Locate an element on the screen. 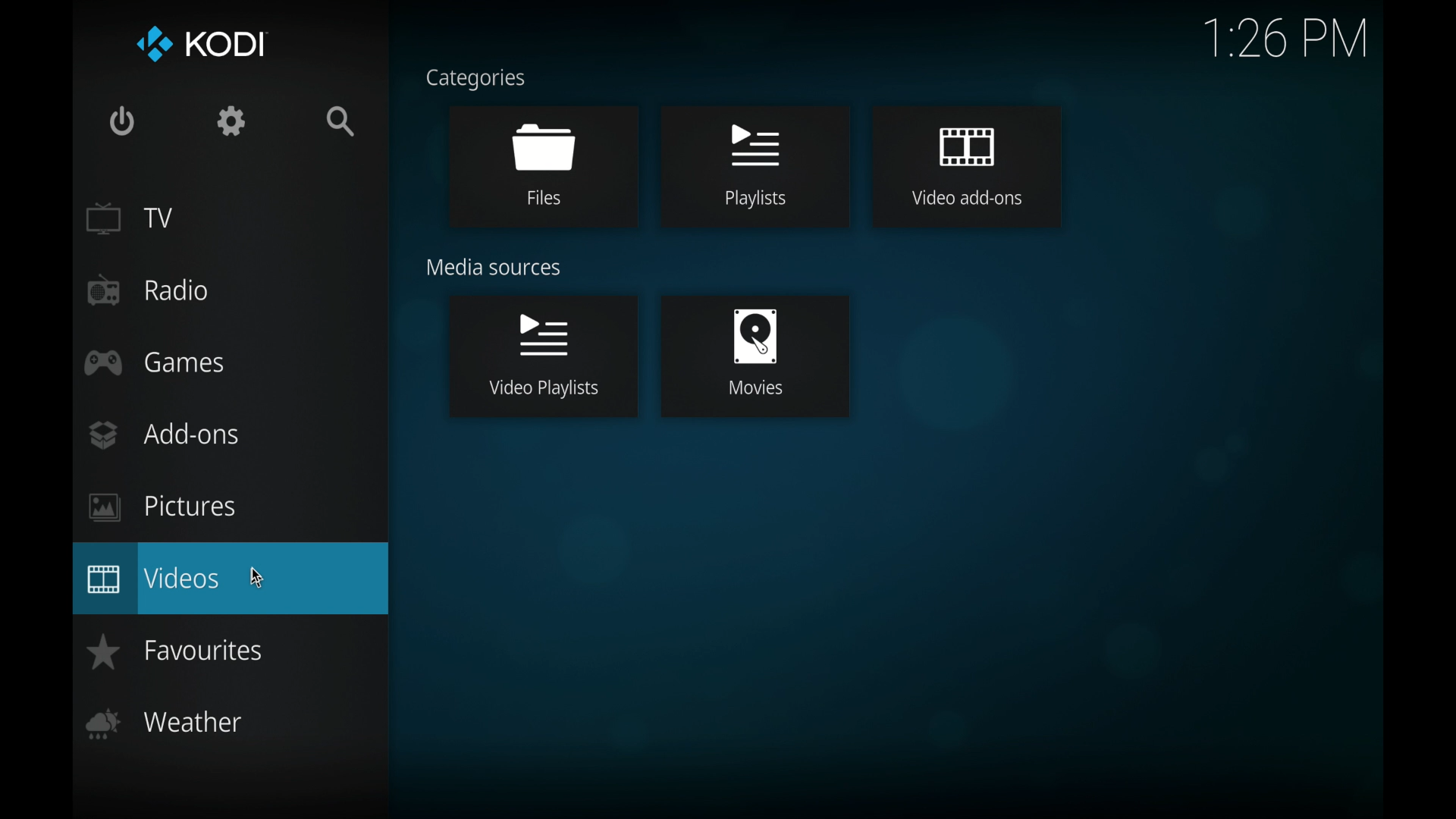  media sources is located at coordinates (494, 268).